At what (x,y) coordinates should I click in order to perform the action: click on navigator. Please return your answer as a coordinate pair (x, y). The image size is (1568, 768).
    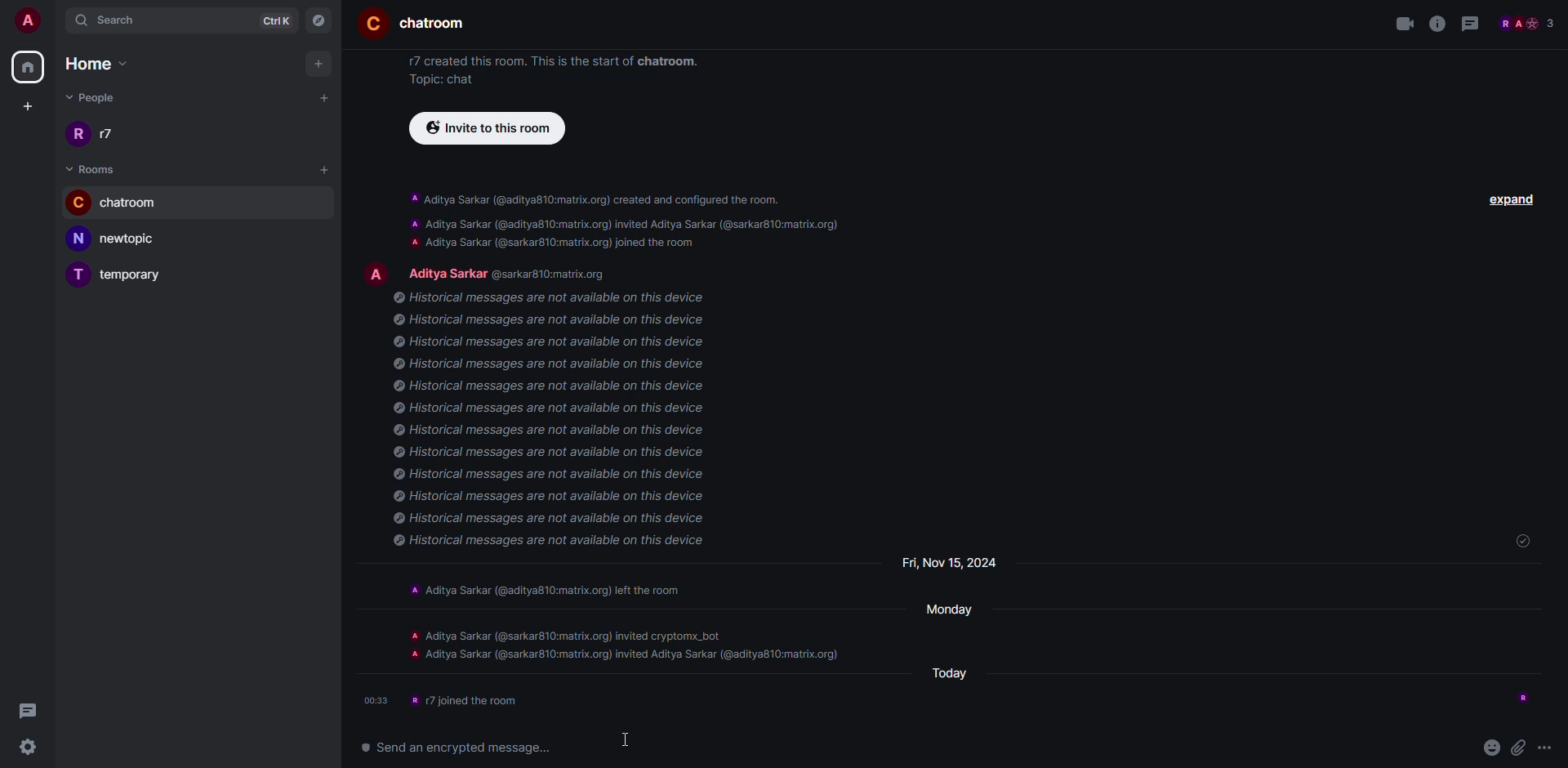
    Looking at the image, I should click on (318, 19).